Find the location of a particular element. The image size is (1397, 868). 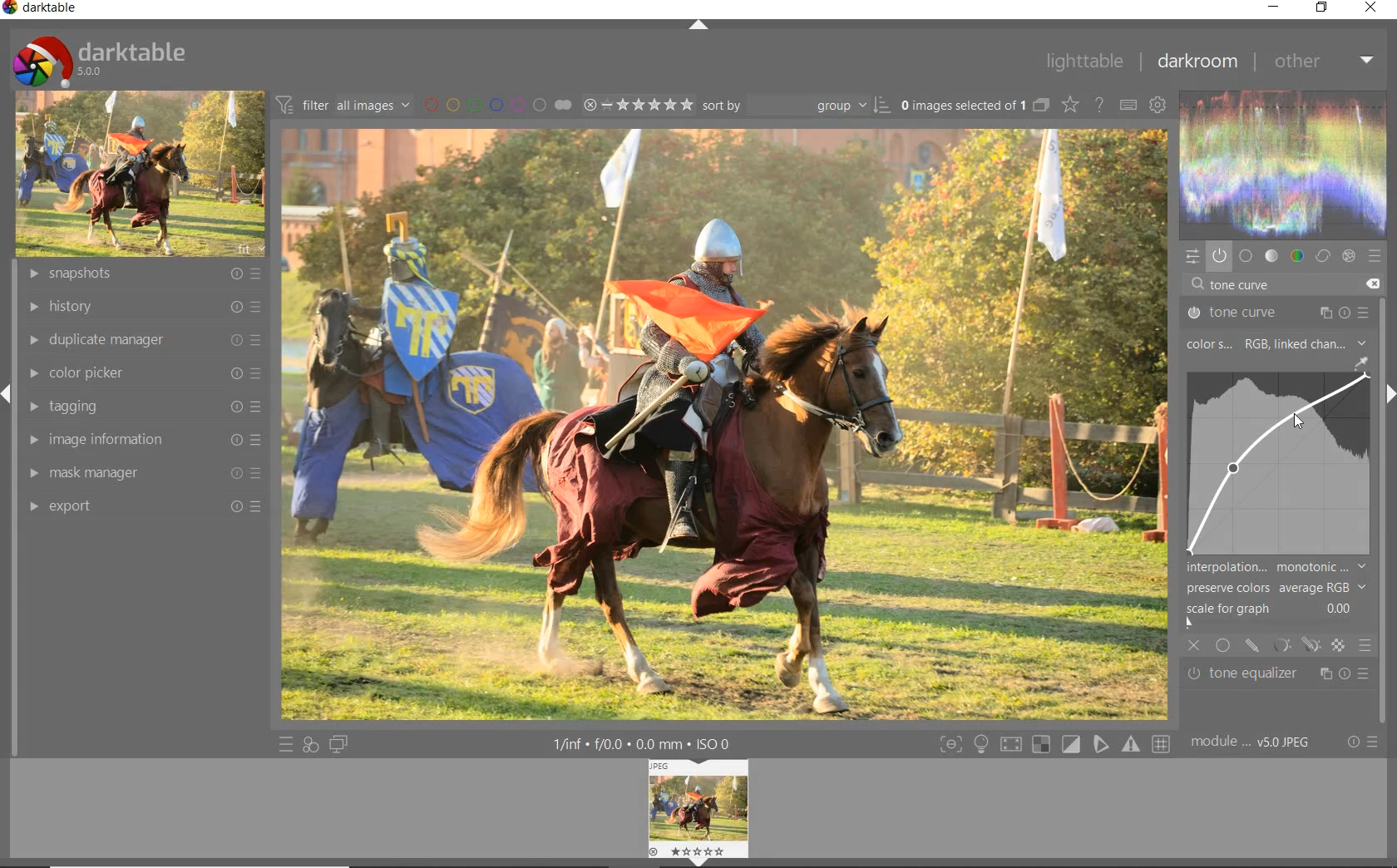

darkroom is located at coordinates (1197, 63).